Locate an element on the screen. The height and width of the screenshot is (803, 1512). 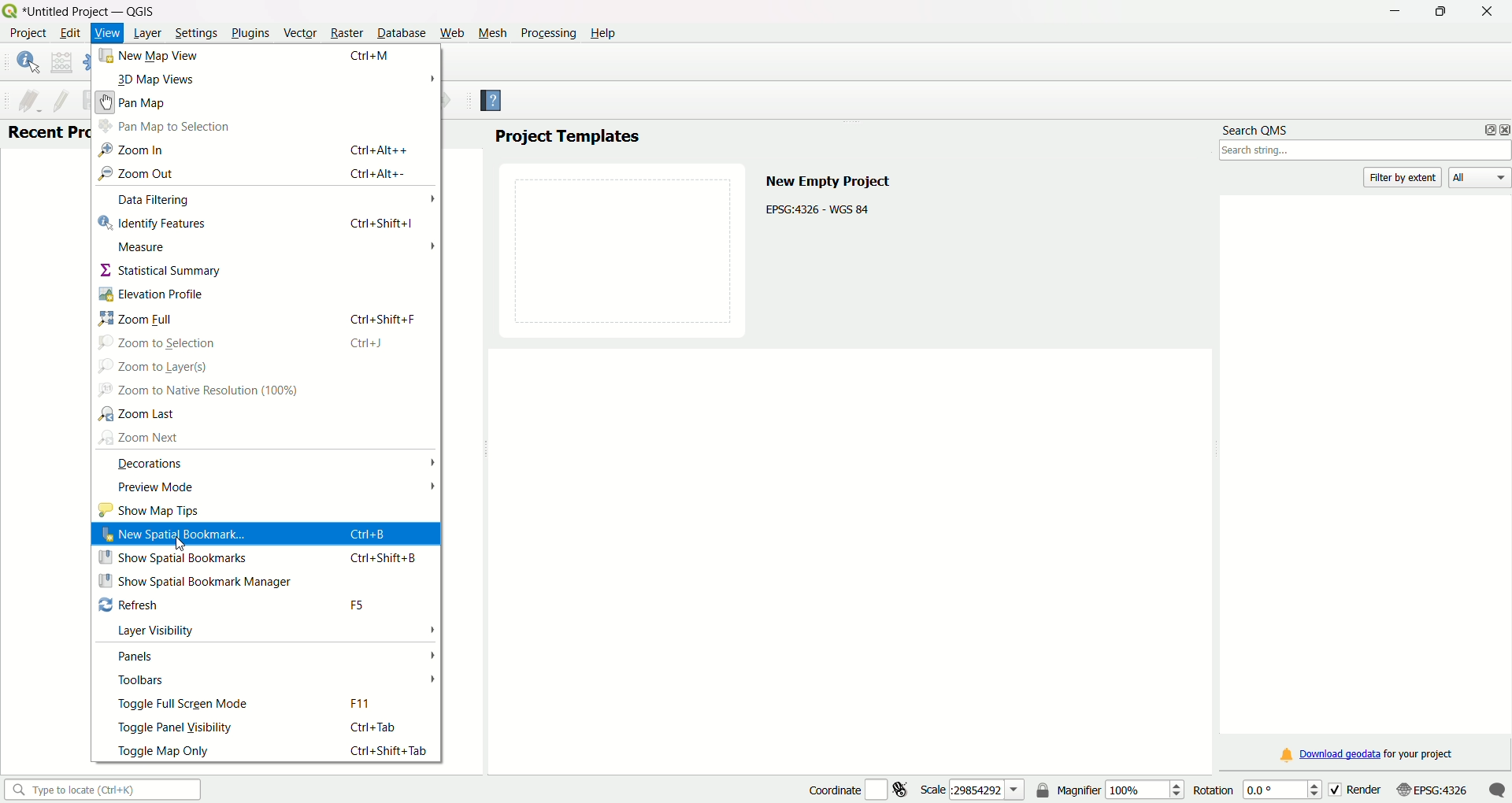
F5 is located at coordinates (360, 605).